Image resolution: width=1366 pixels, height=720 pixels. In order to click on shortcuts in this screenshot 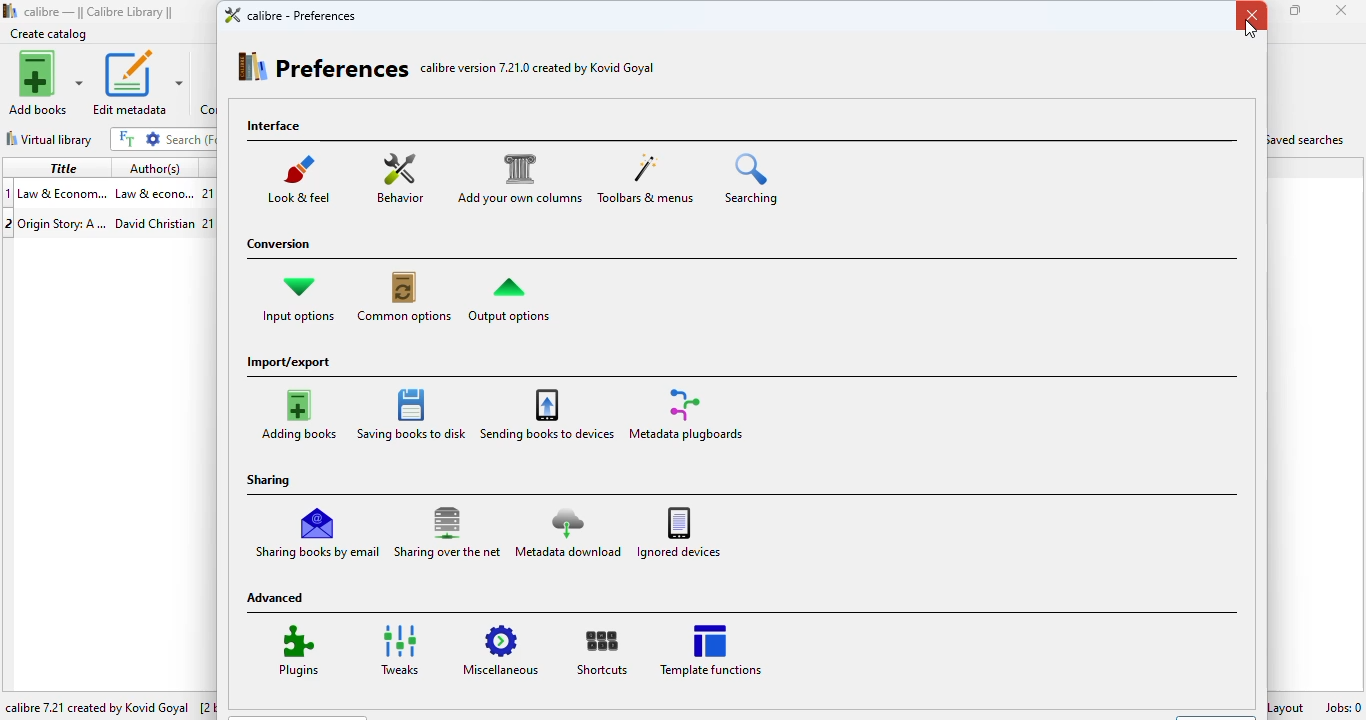, I will do `click(598, 650)`.